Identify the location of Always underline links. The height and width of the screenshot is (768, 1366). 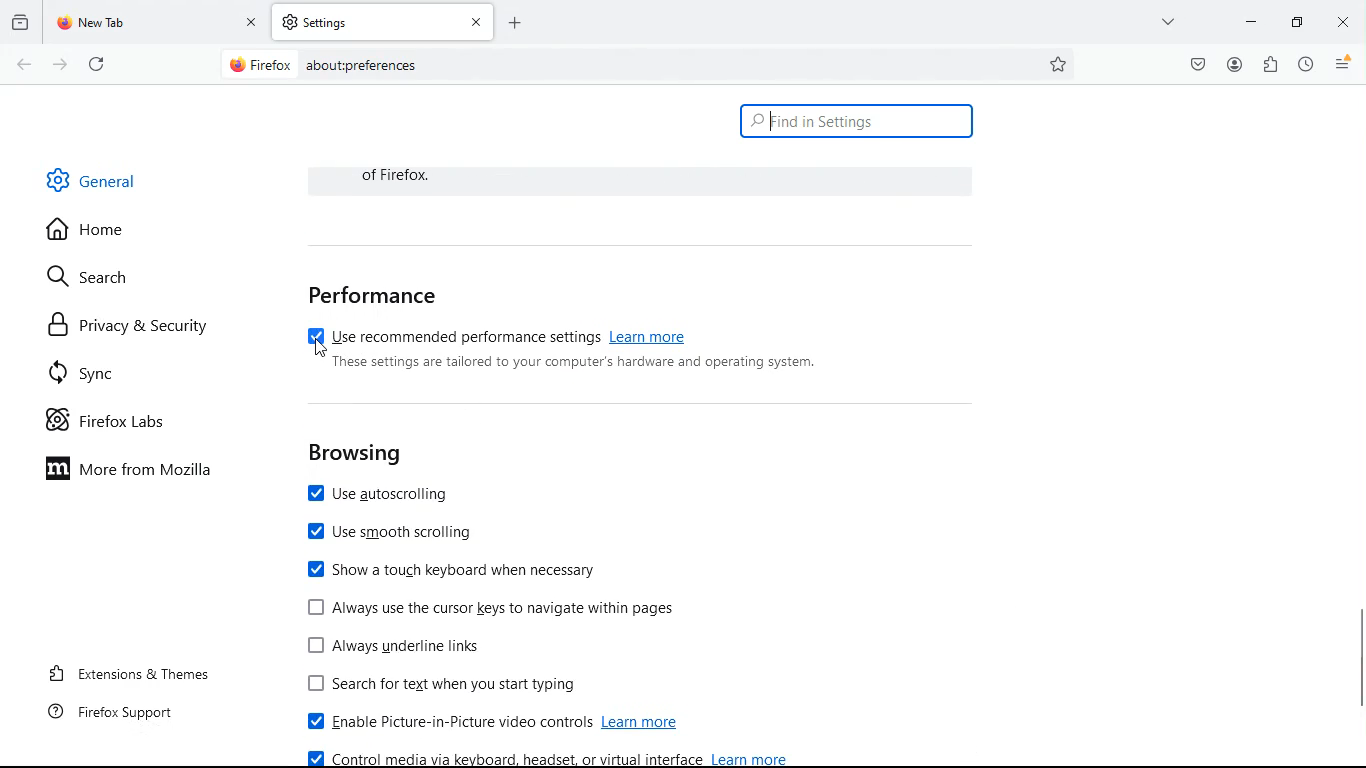
(398, 644).